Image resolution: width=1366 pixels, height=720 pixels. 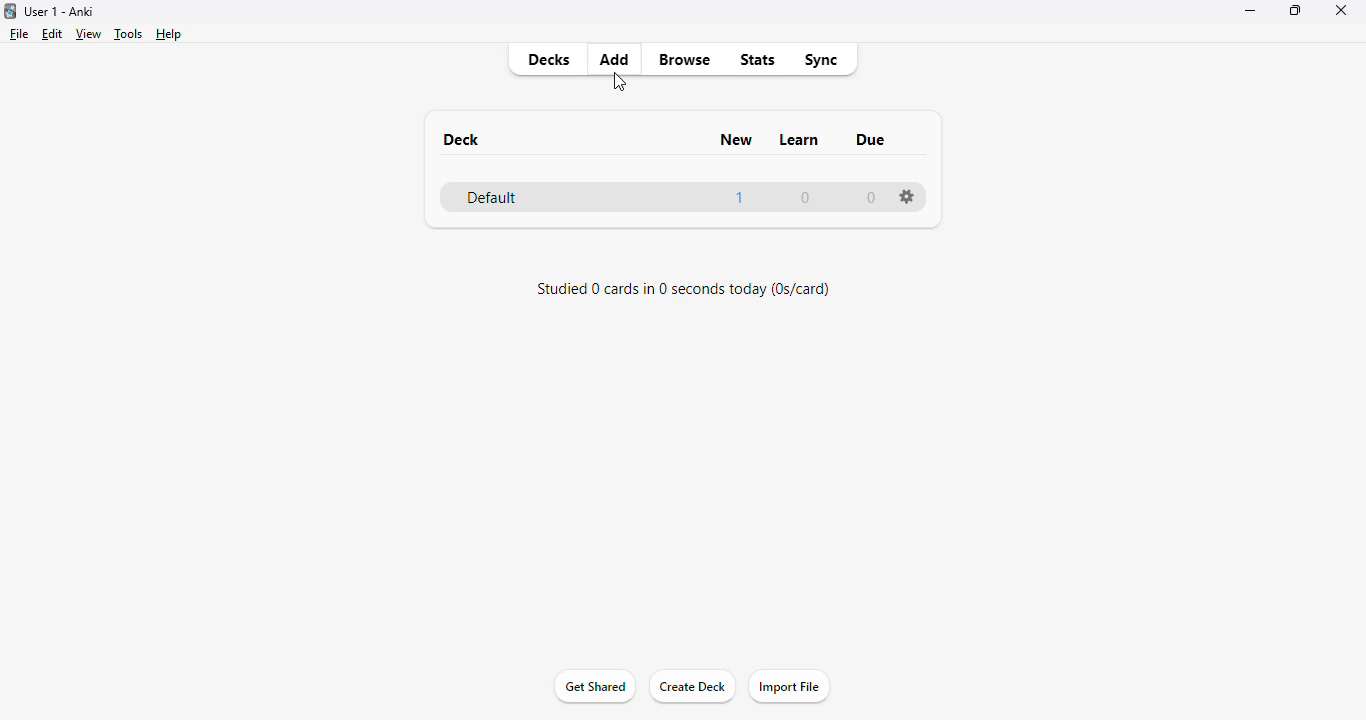 What do you see at coordinates (1249, 11) in the screenshot?
I see `minimize` at bounding box center [1249, 11].